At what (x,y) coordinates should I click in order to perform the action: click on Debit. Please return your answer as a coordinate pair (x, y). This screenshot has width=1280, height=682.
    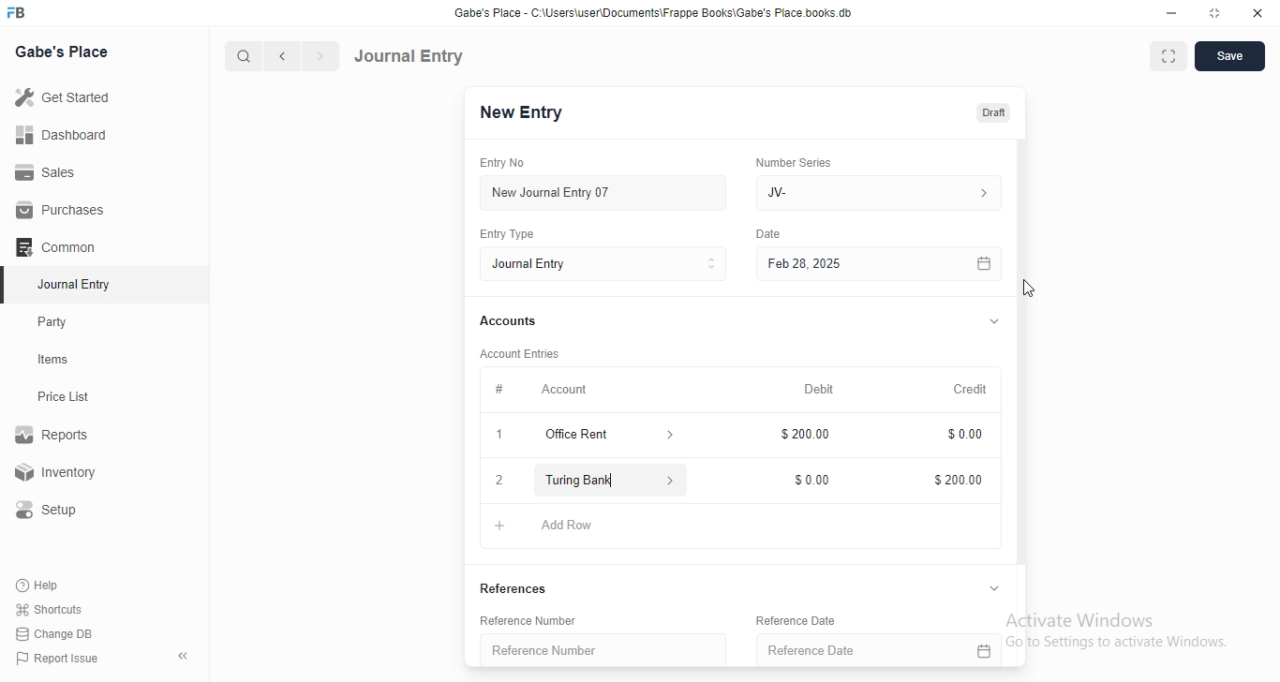
    Looking at the image, I should click on (815, 387).